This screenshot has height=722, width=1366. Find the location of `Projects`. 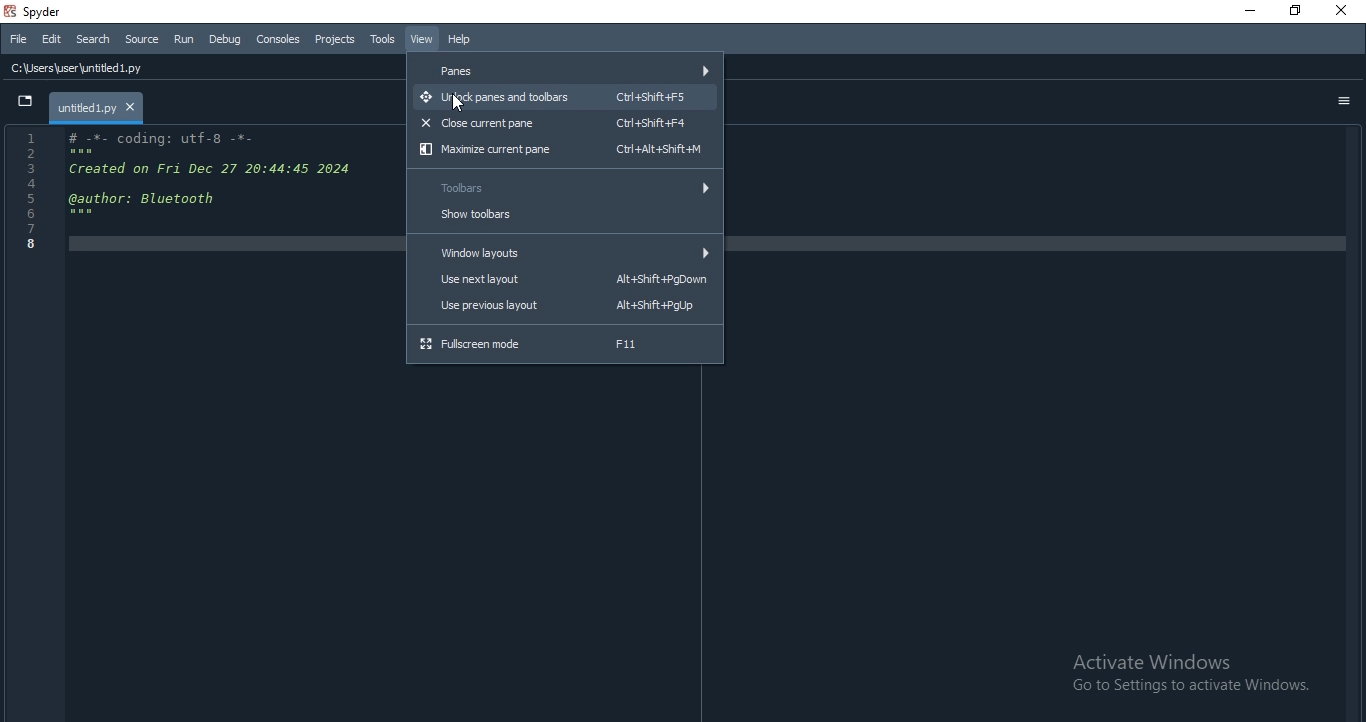

Projects is located at coordinates (334, 39).